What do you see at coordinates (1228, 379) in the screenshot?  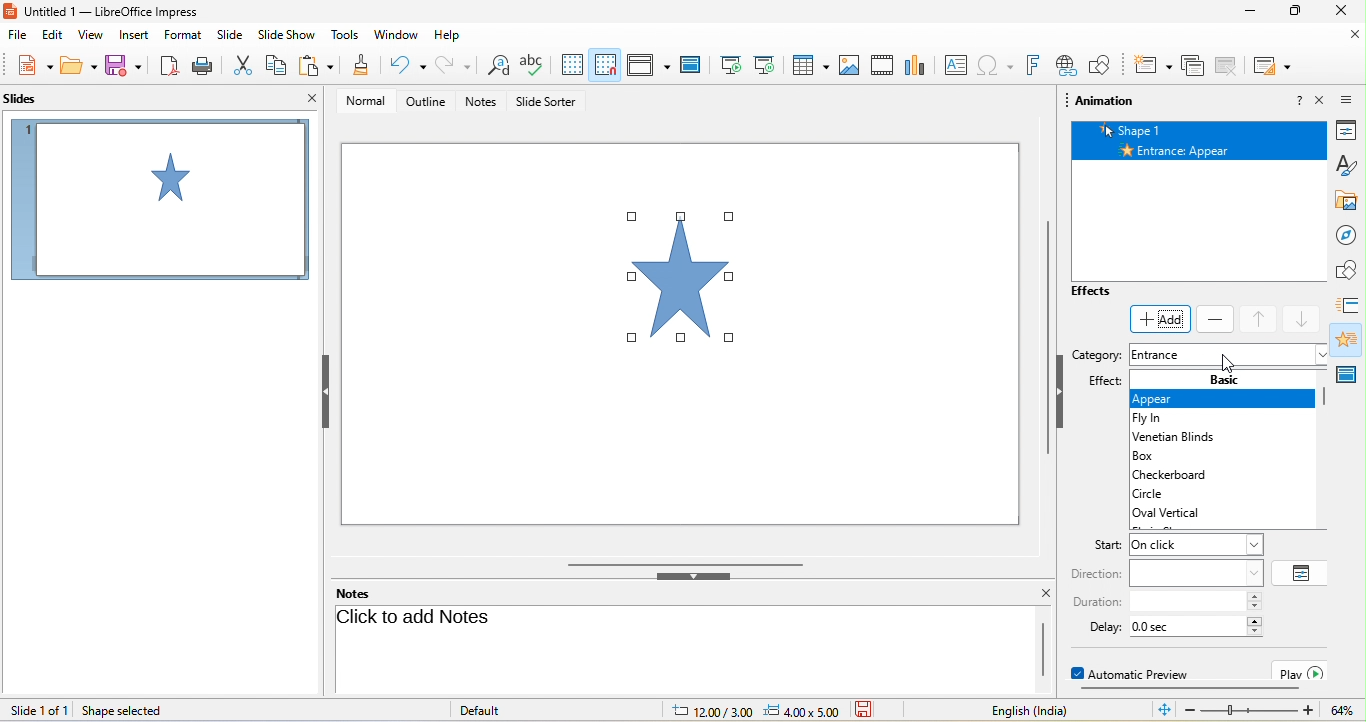 I see `basic` at bounding box center [1228, 379].